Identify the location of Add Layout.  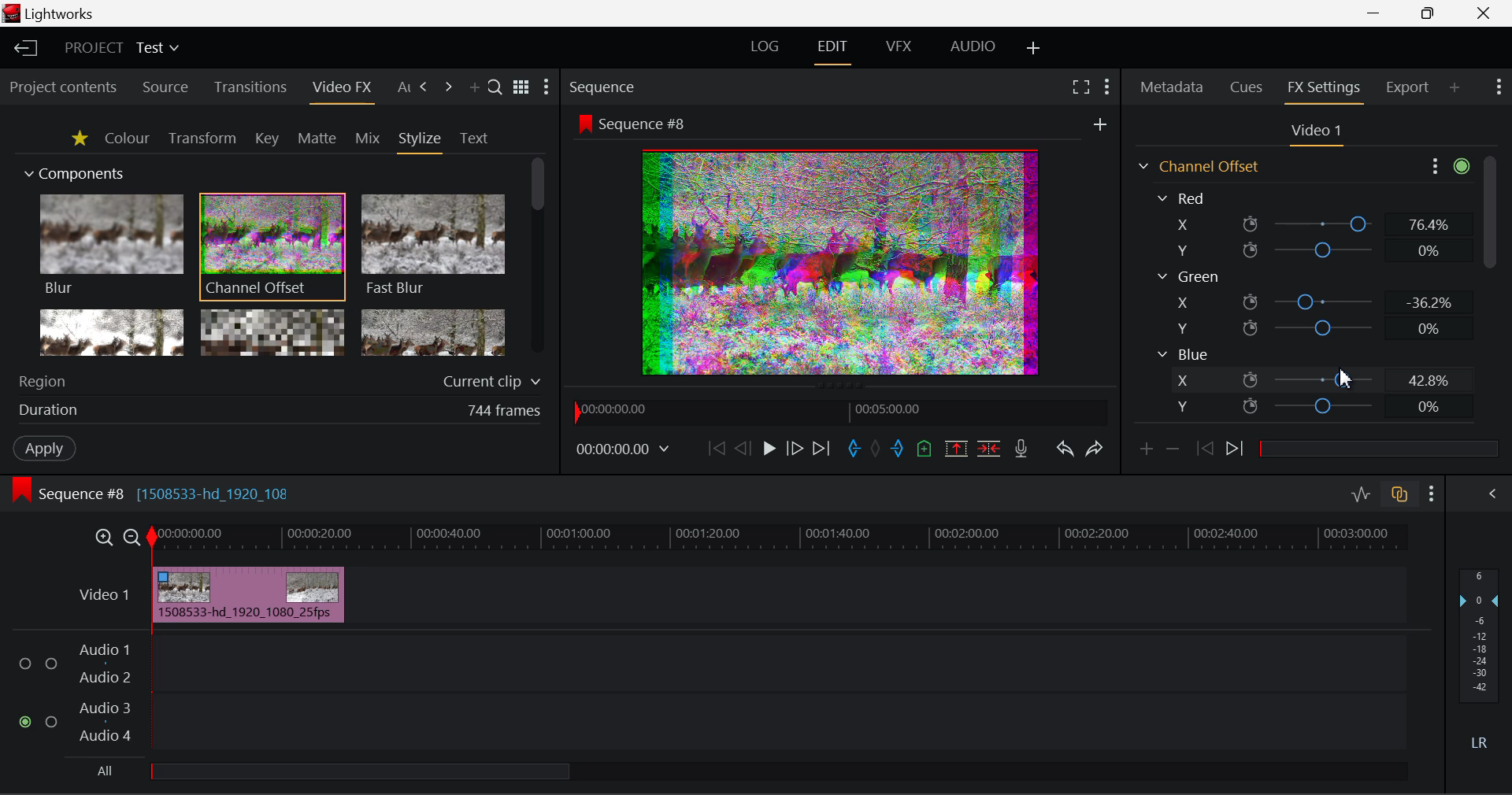
(1034, 51).